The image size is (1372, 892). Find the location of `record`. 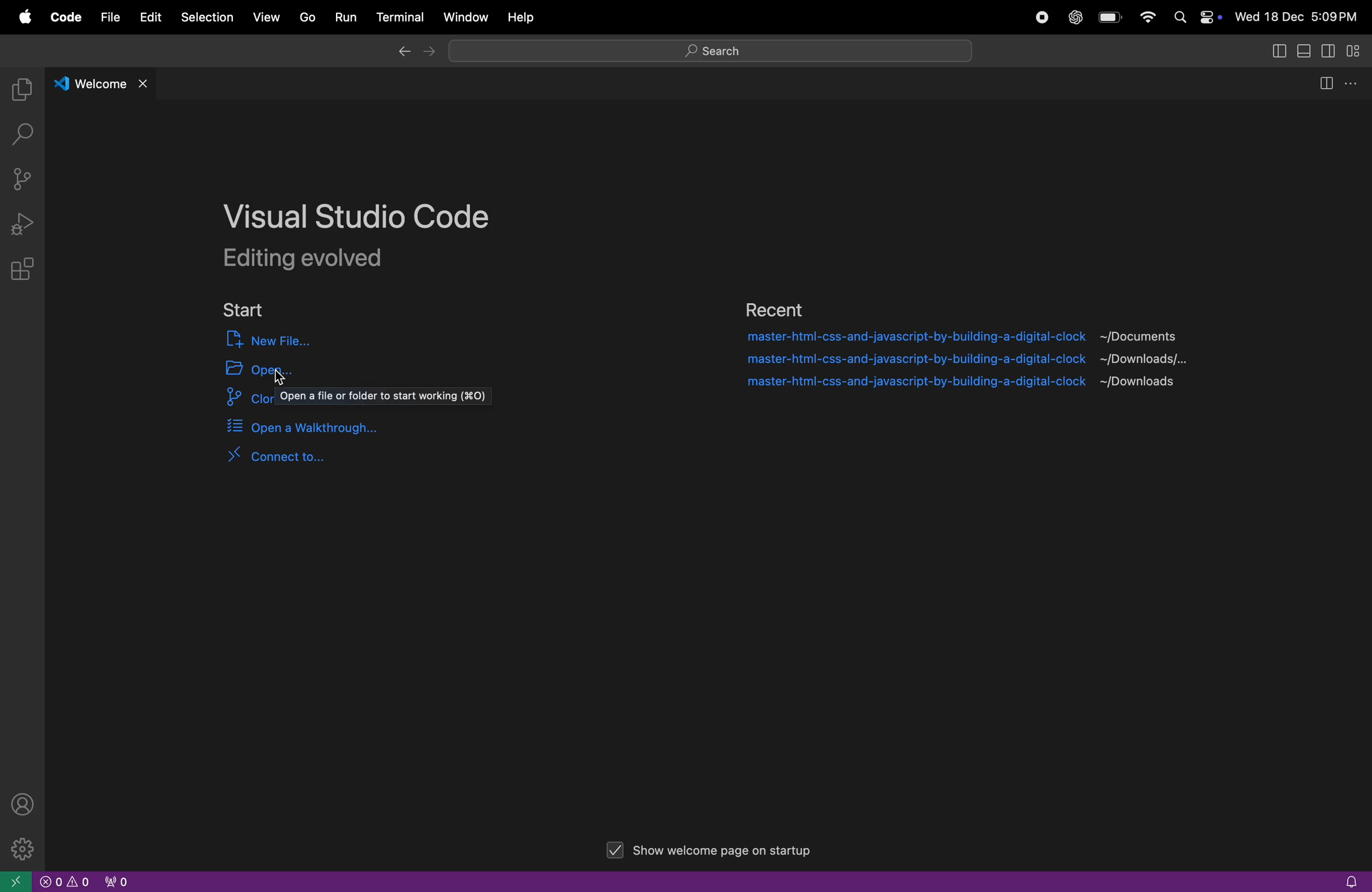

record is located at coordinates (1039, 18).